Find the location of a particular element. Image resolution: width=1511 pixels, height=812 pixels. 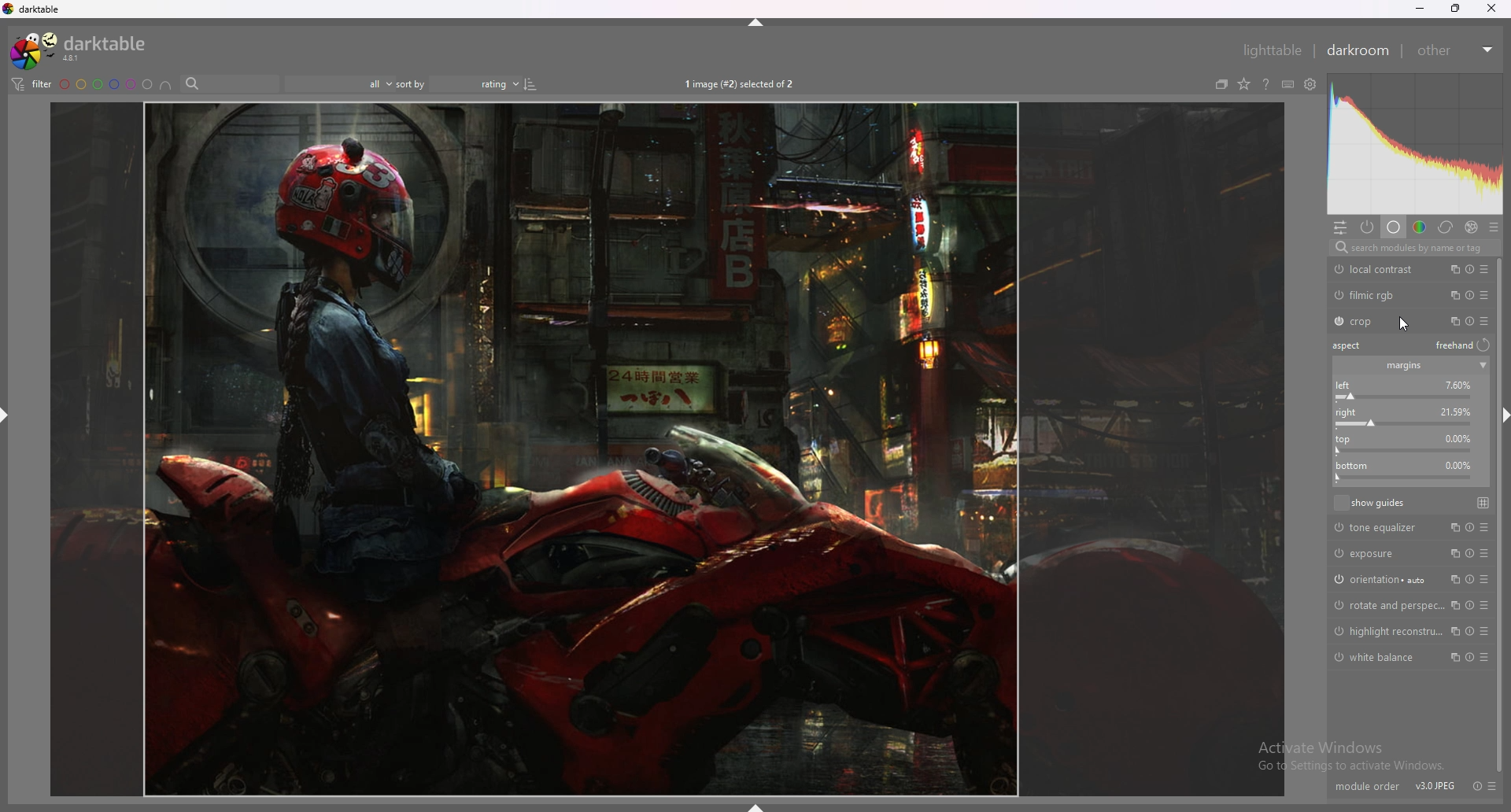

lighttable is located at coordinates (1272, 50).